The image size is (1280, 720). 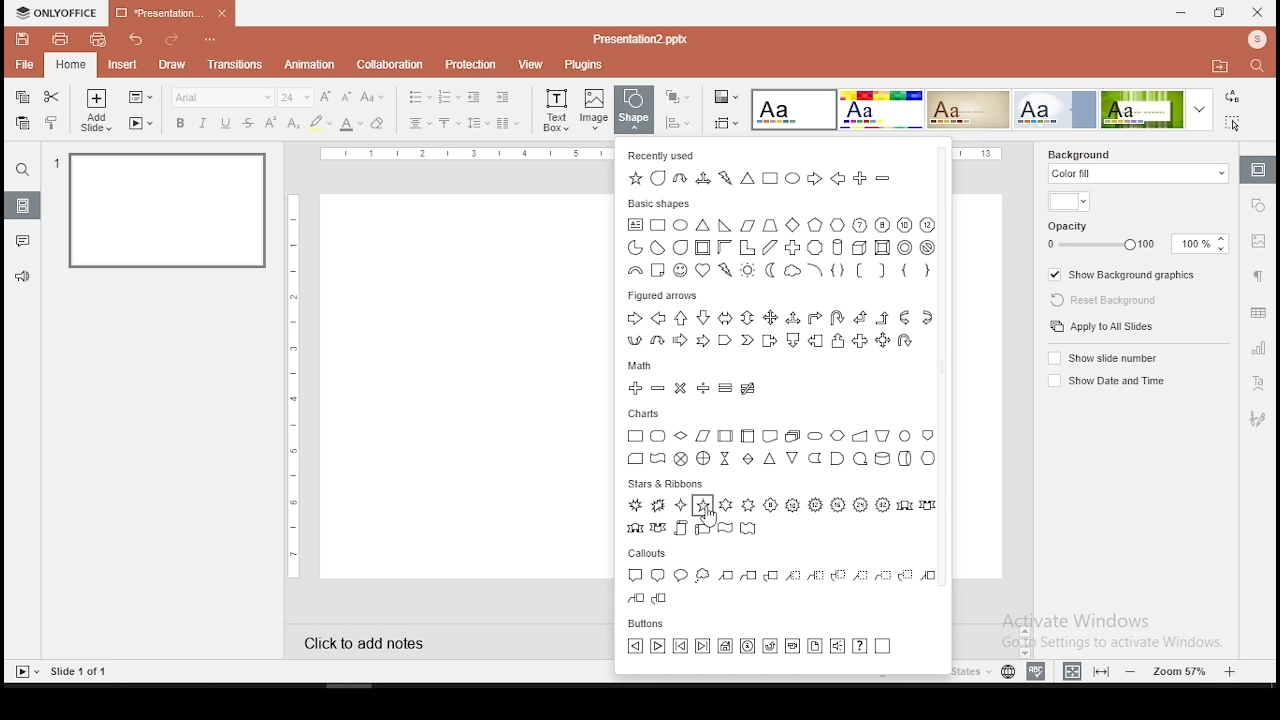 I want to click on paste, so click(x=22, y=123).